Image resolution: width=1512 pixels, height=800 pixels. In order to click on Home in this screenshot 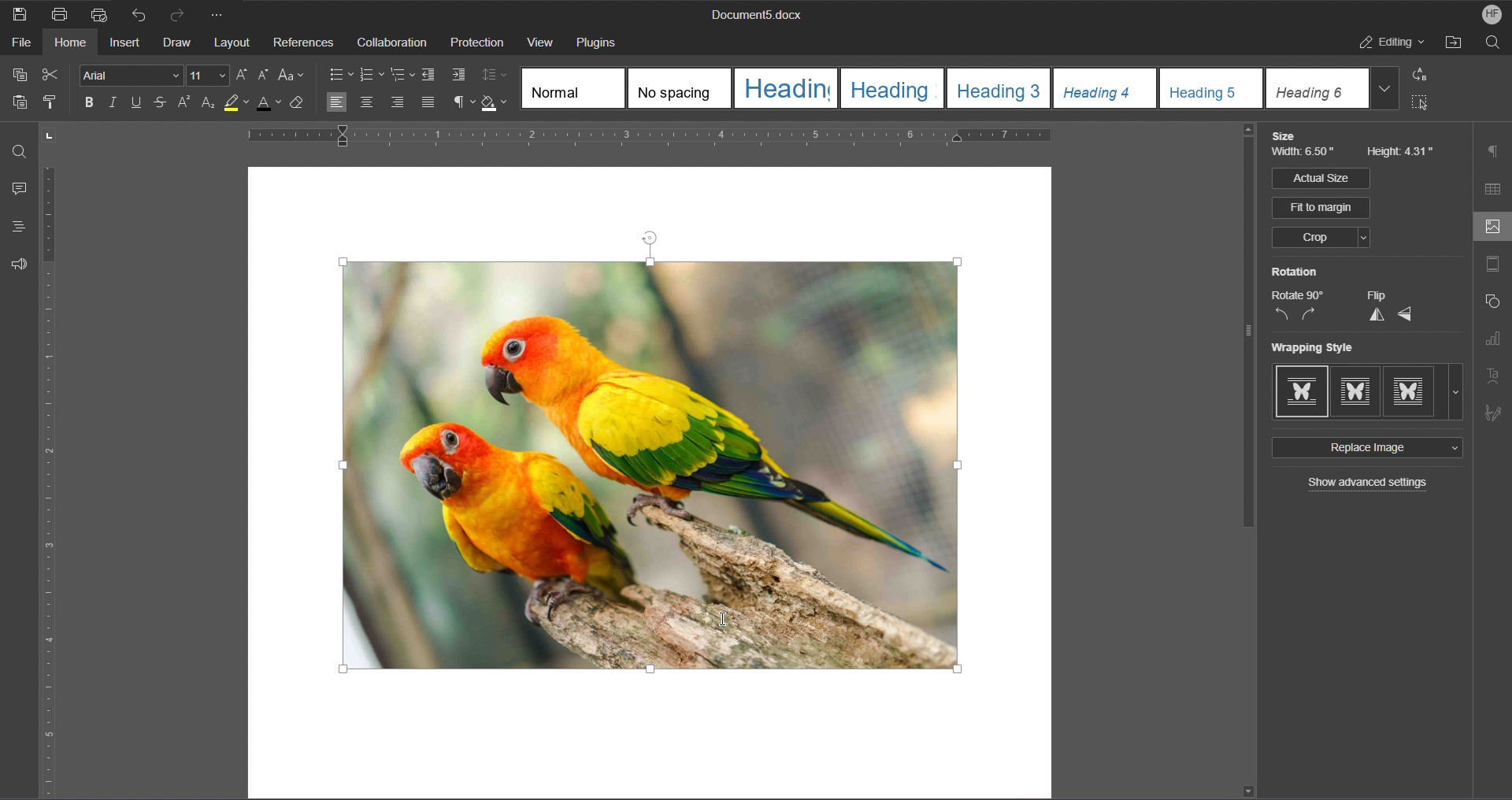, I will do `click(72, 45)`.